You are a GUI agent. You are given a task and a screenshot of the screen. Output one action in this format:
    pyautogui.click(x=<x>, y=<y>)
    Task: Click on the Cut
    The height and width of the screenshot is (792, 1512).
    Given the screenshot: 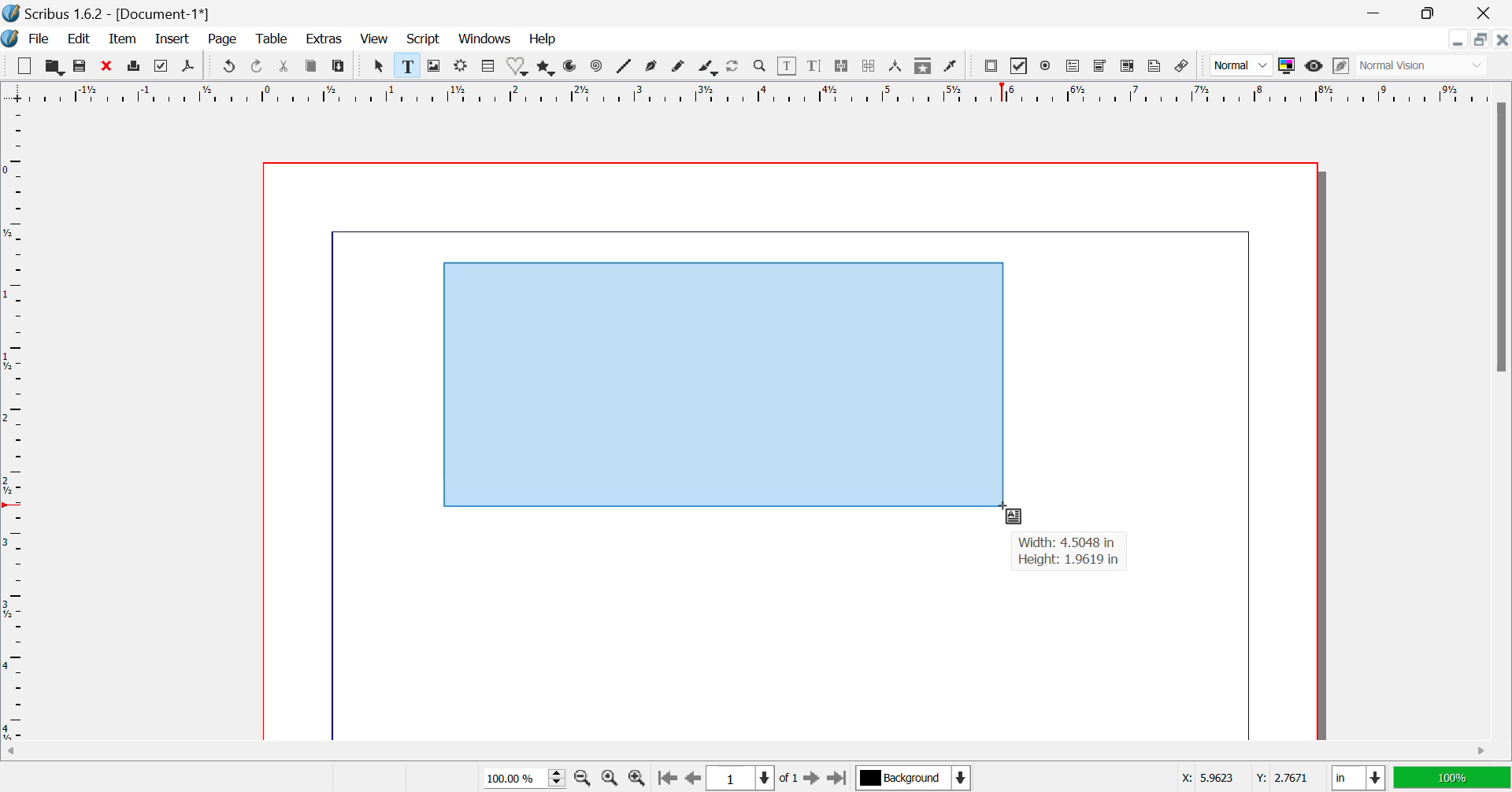 What is the action you would take?
    pyautogui.click(x=284, y=66)
    